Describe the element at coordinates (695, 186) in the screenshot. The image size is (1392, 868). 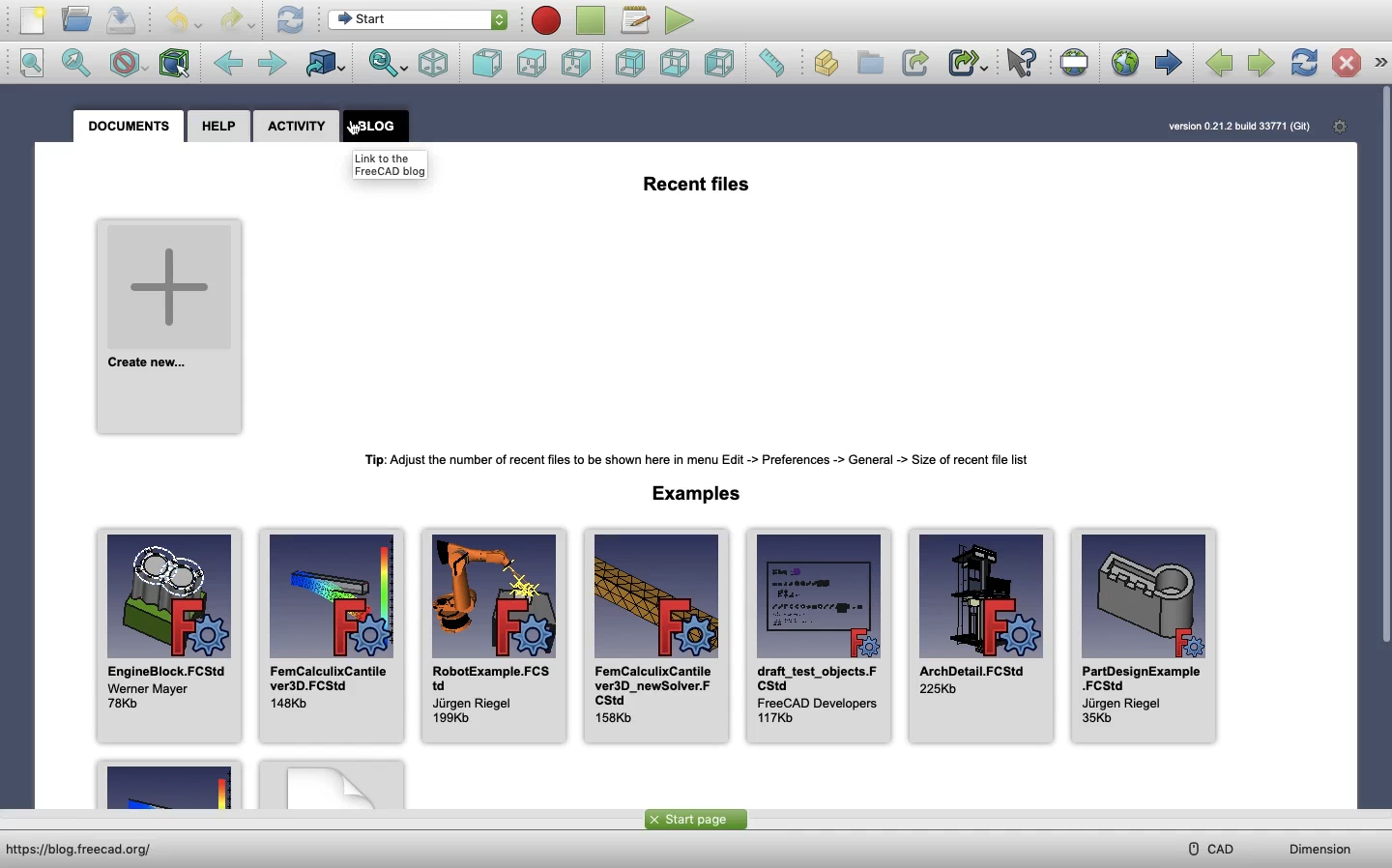
I see `Text 1` at that location.